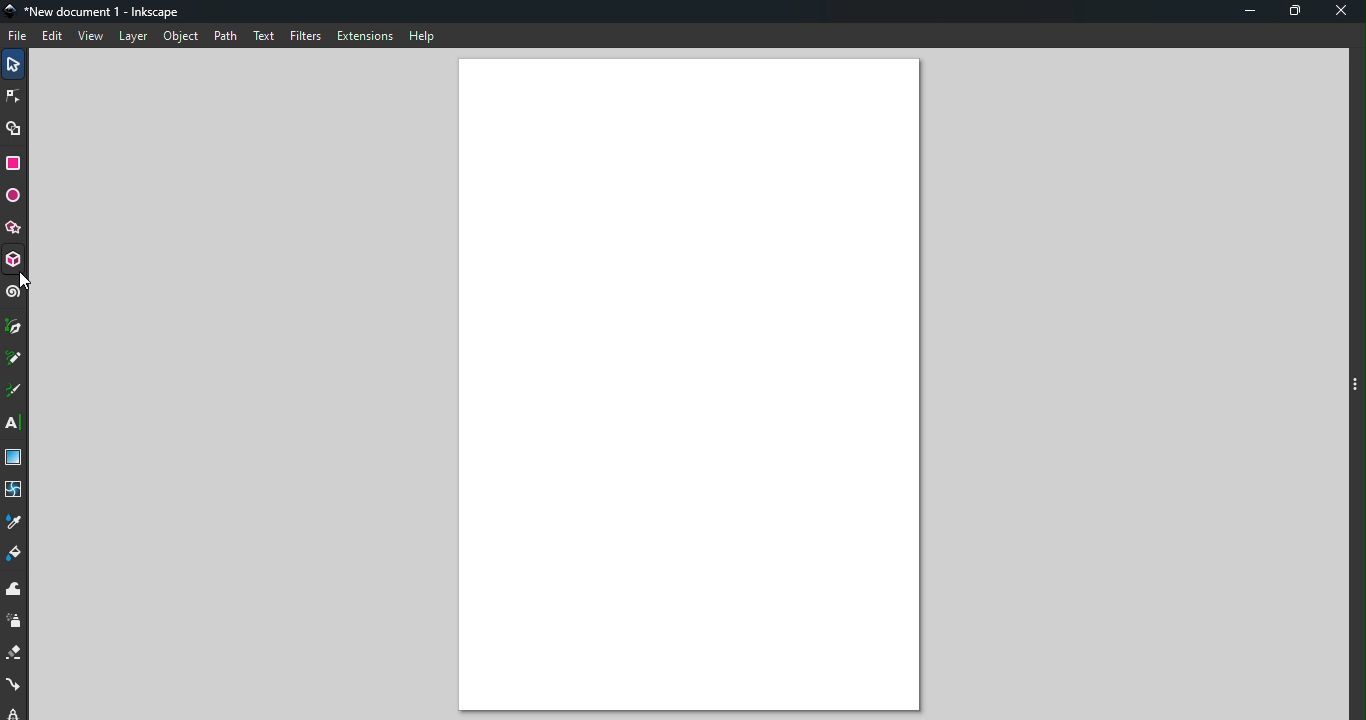 The width and height of the screenshot is (1366, 720). What do you see at coordinates (16, 392) in the screenshot?
I see `Calligraphy tool` at bounding box center [16, 392].